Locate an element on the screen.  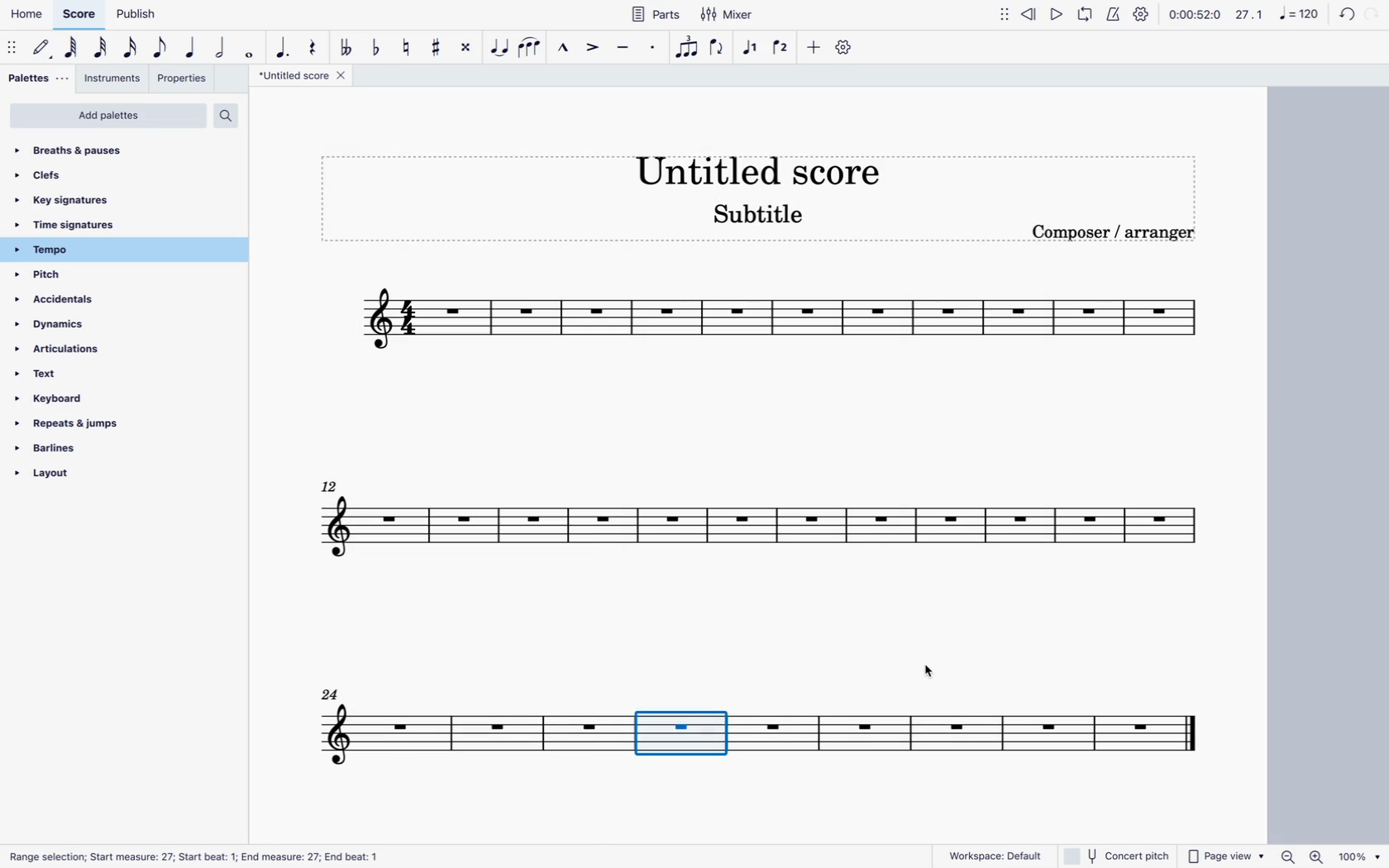
breaths & pauses is located at coordinates (73, 151).